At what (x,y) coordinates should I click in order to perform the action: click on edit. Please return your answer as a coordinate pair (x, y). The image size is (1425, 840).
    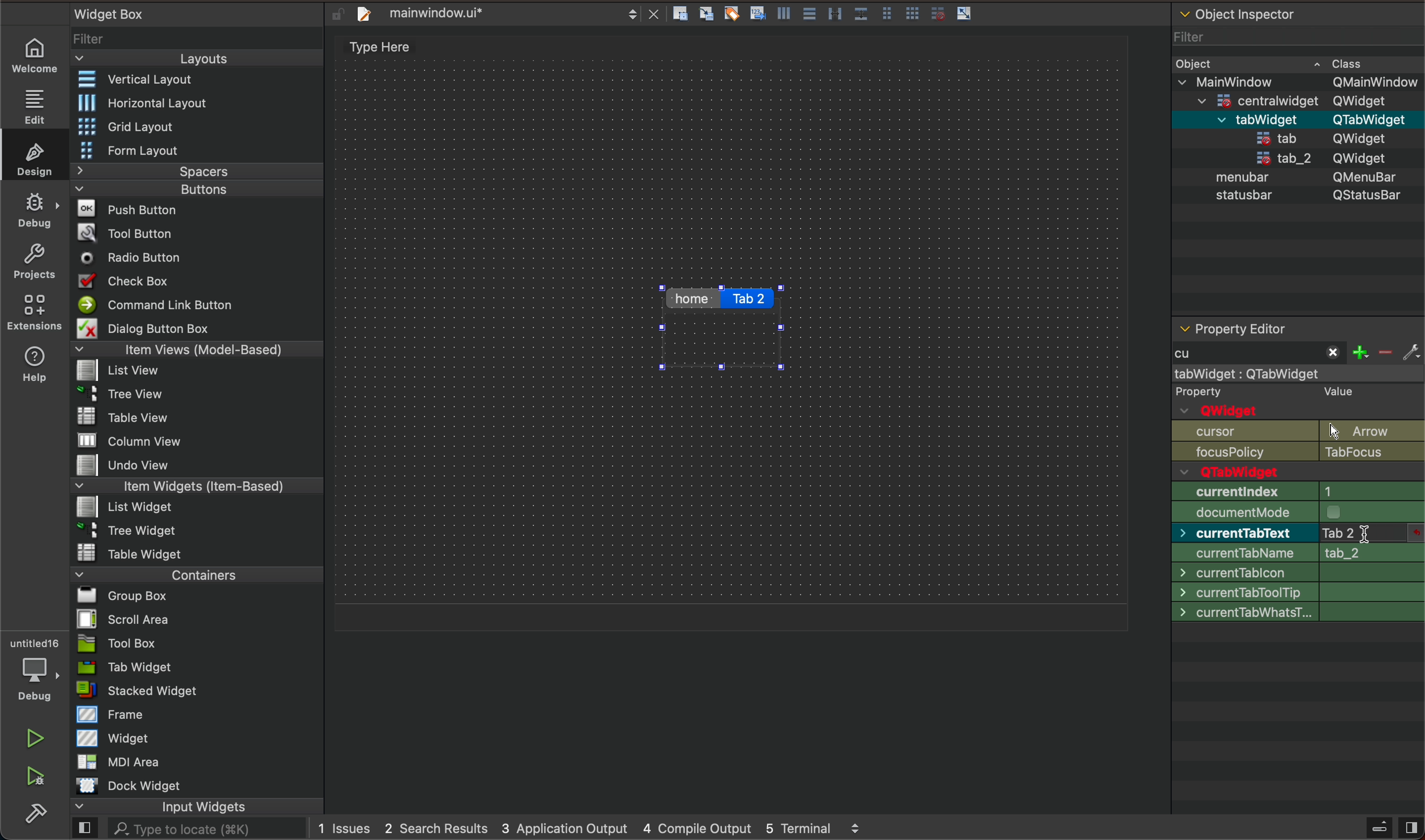
    Looking at the image, I should click on (36, 103).